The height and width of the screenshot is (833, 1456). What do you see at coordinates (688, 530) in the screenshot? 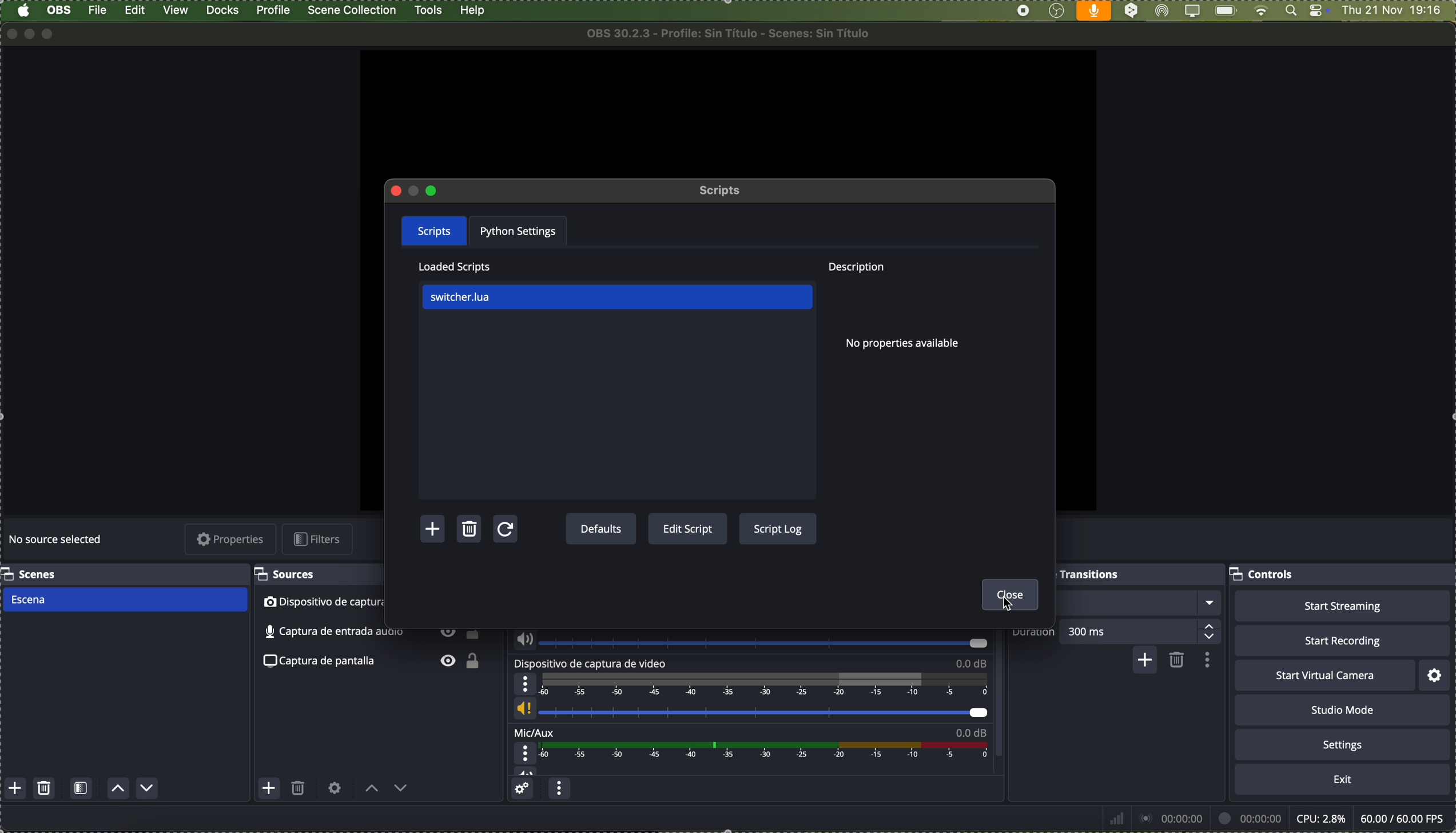
I see `edit script button` at bounding box center [688, 530].